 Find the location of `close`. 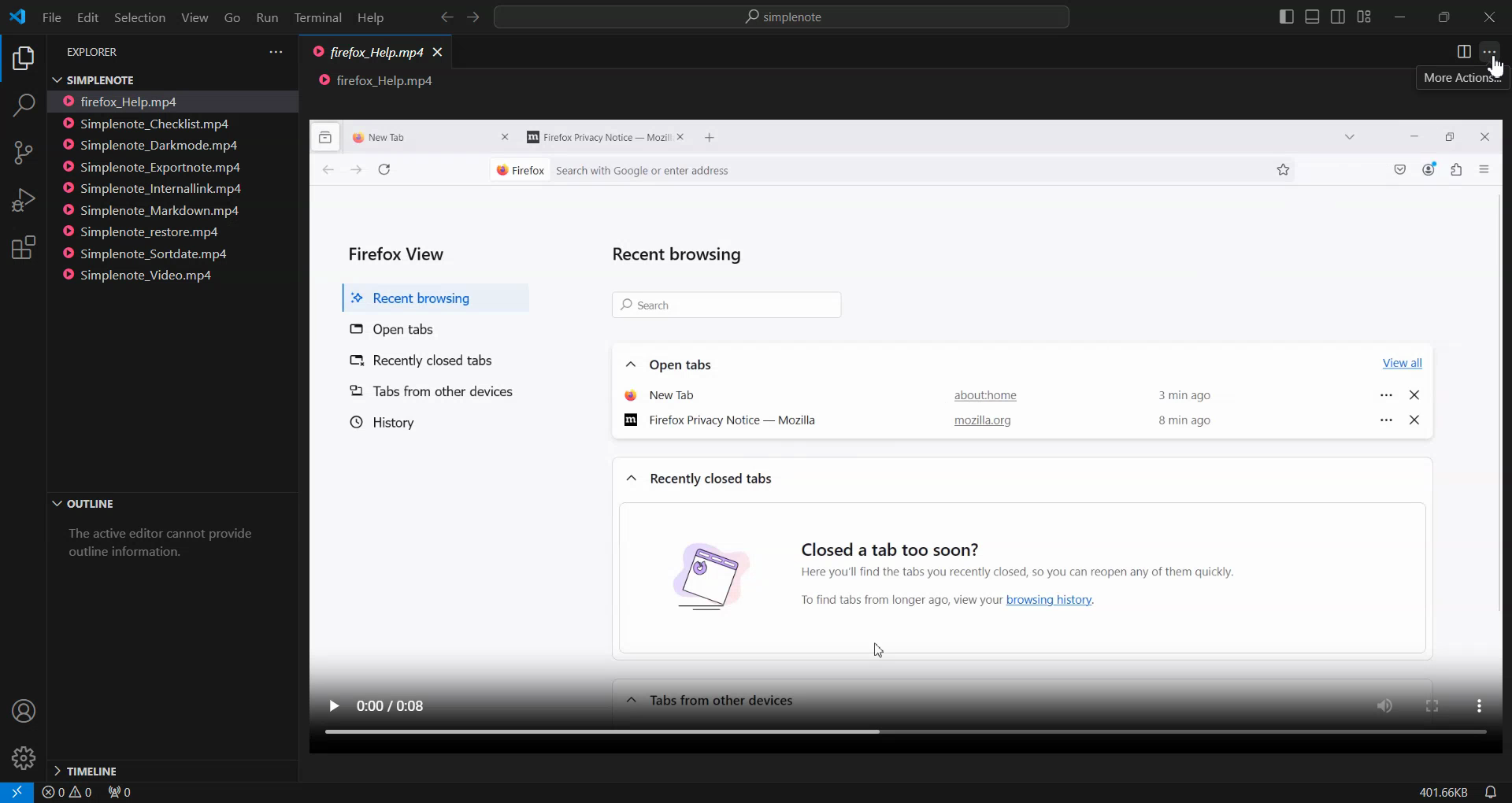

close is located at coordinates (684, 138).